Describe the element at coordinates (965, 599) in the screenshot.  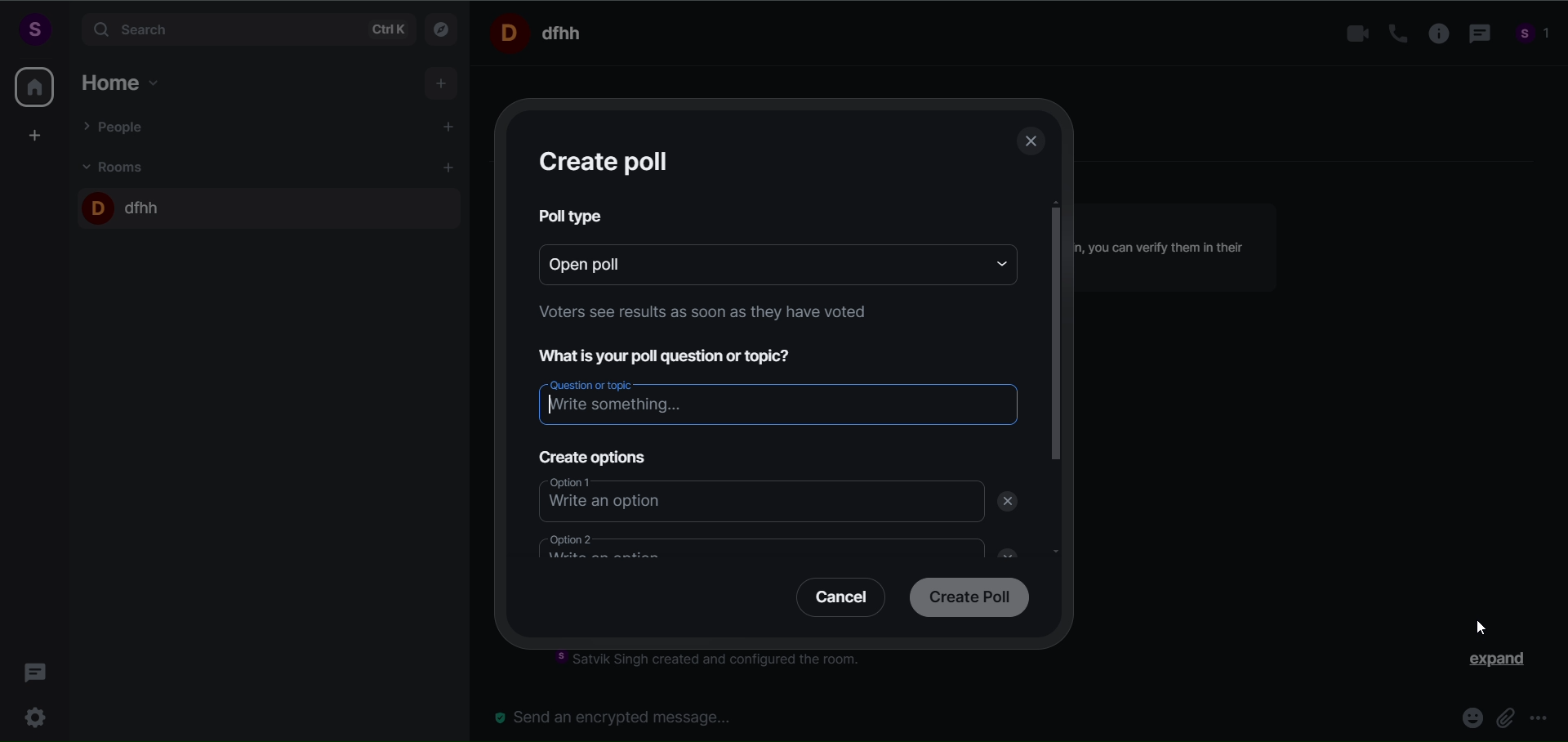
I see `create poll` at that location.